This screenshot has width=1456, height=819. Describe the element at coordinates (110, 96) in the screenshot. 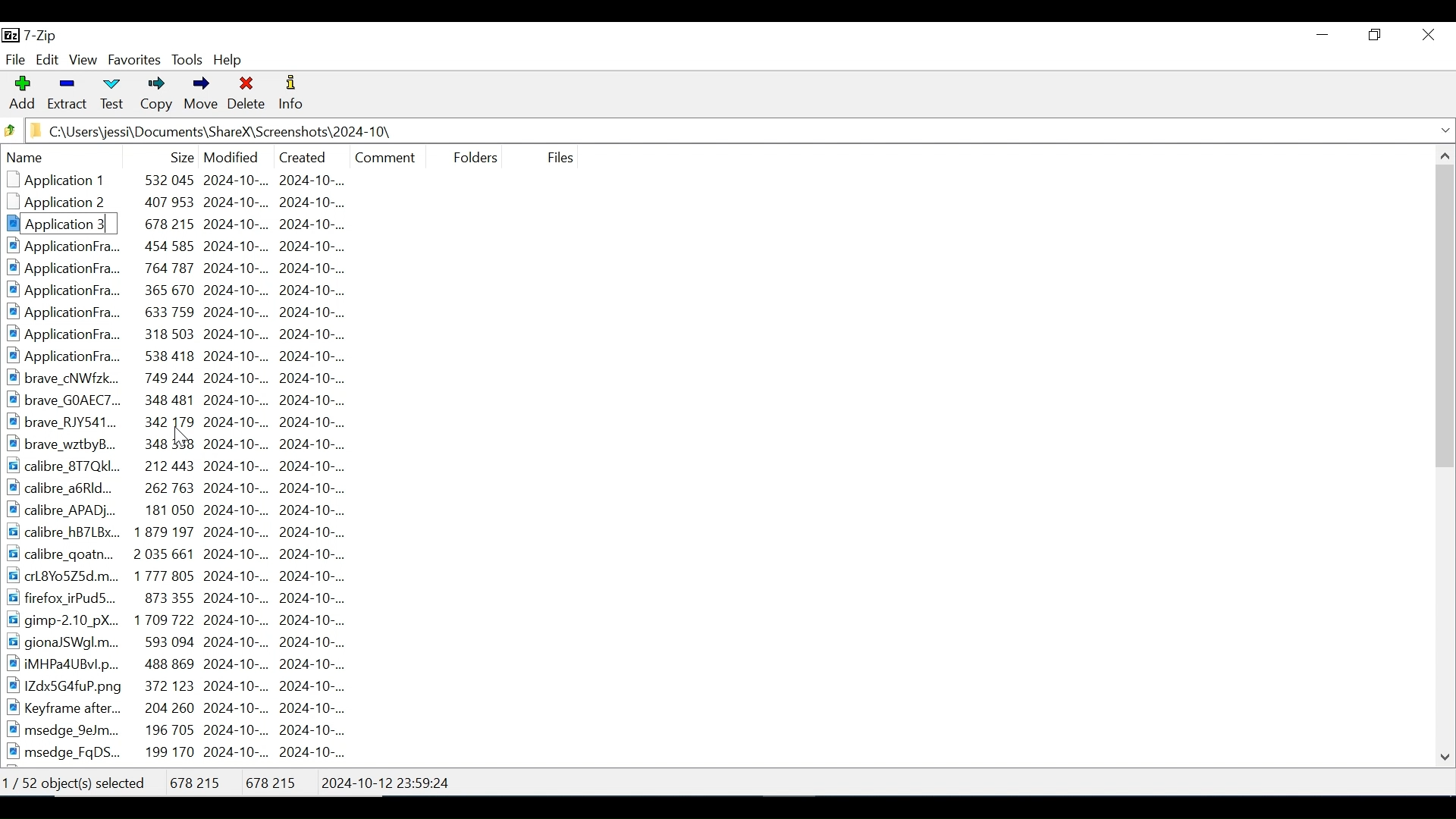

I see `Test` at that location.